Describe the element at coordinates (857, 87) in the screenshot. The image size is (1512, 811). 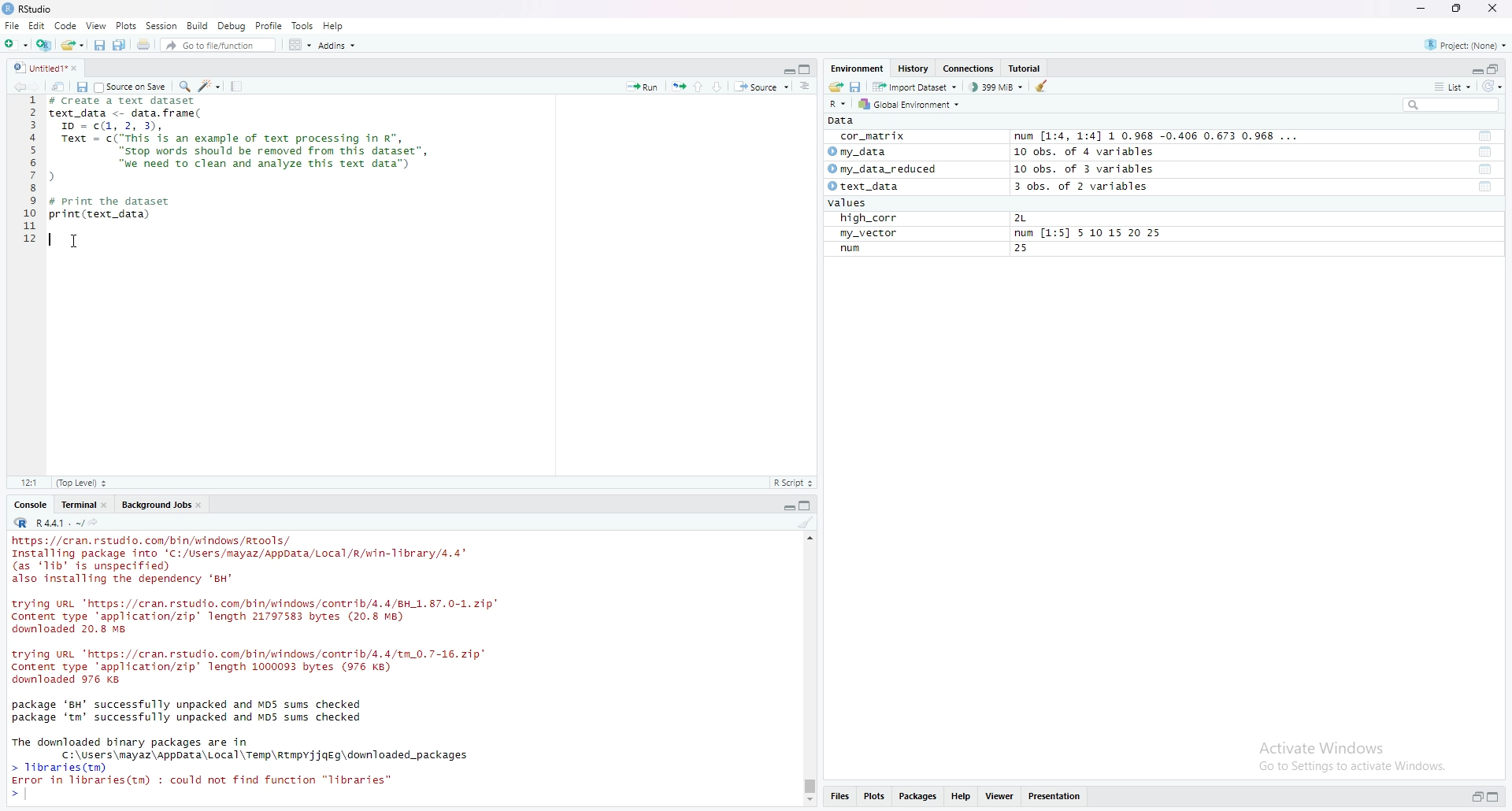
I see `save workspace` at that location.